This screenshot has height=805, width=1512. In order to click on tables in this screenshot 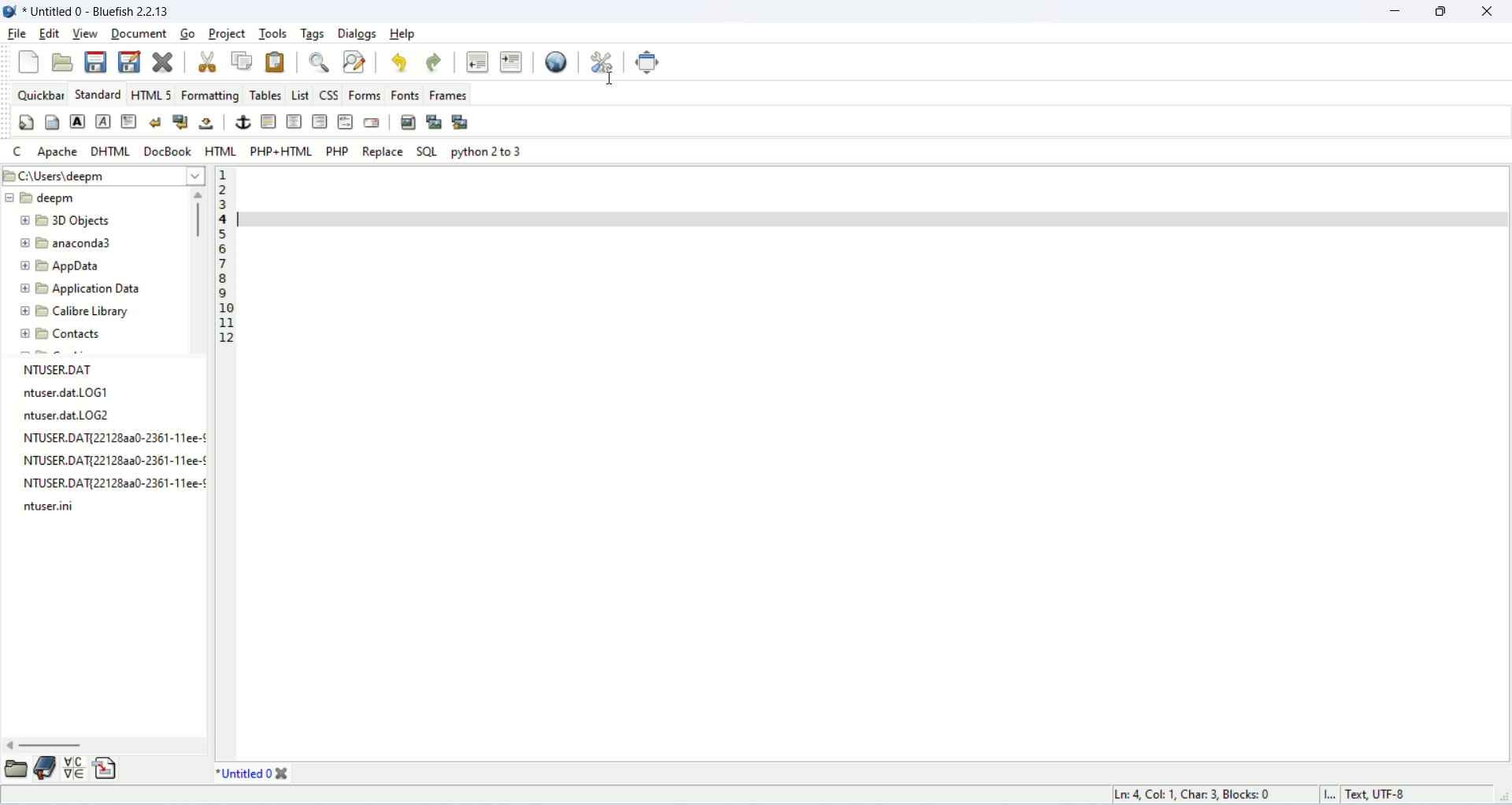, I will do `click(266, 95)`.